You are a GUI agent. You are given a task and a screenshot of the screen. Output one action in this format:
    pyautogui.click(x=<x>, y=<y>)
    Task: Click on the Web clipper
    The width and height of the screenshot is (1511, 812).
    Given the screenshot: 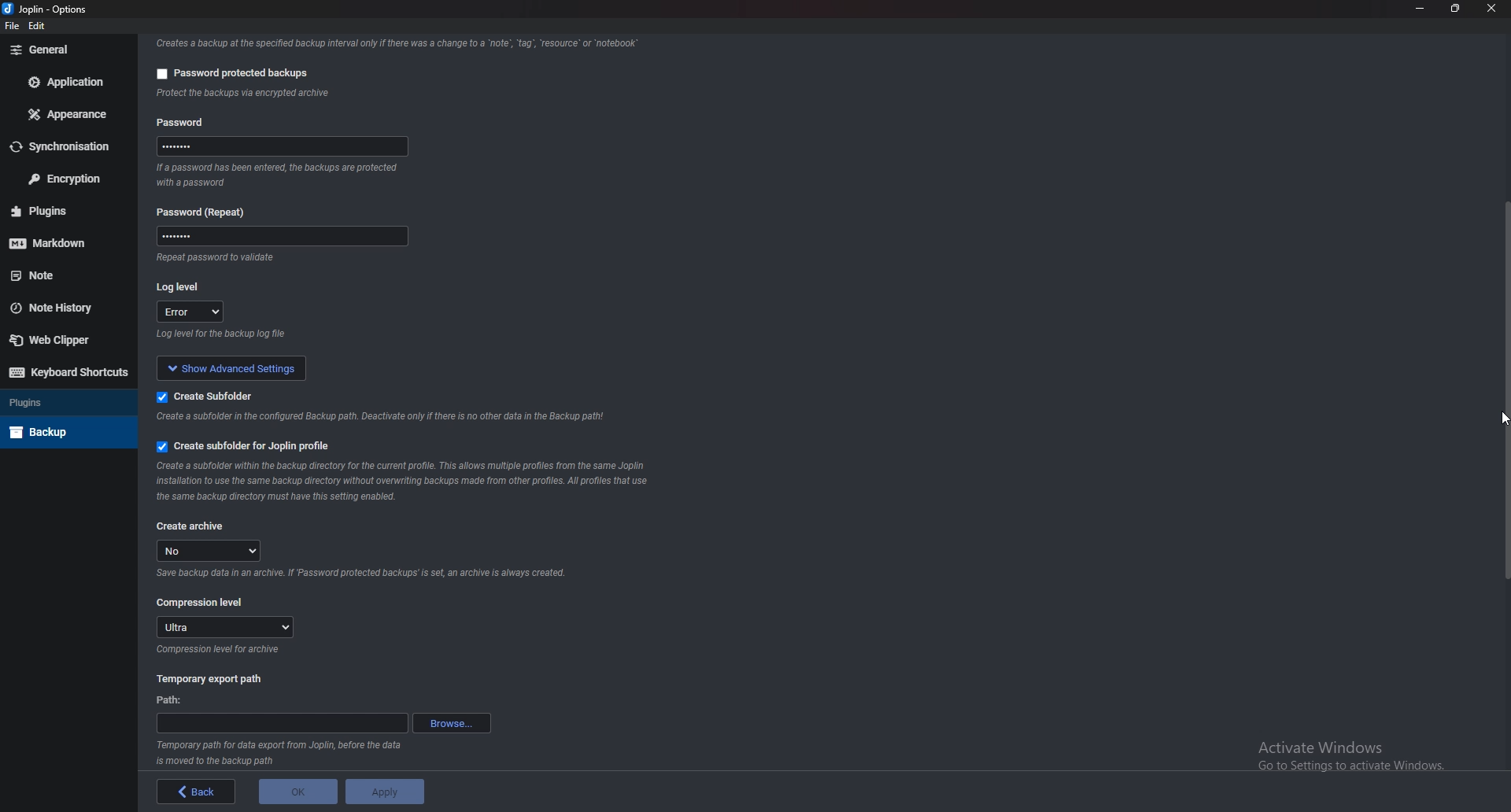 What is the action you would take?
    pyautogui.click(x=59, y=339)
    